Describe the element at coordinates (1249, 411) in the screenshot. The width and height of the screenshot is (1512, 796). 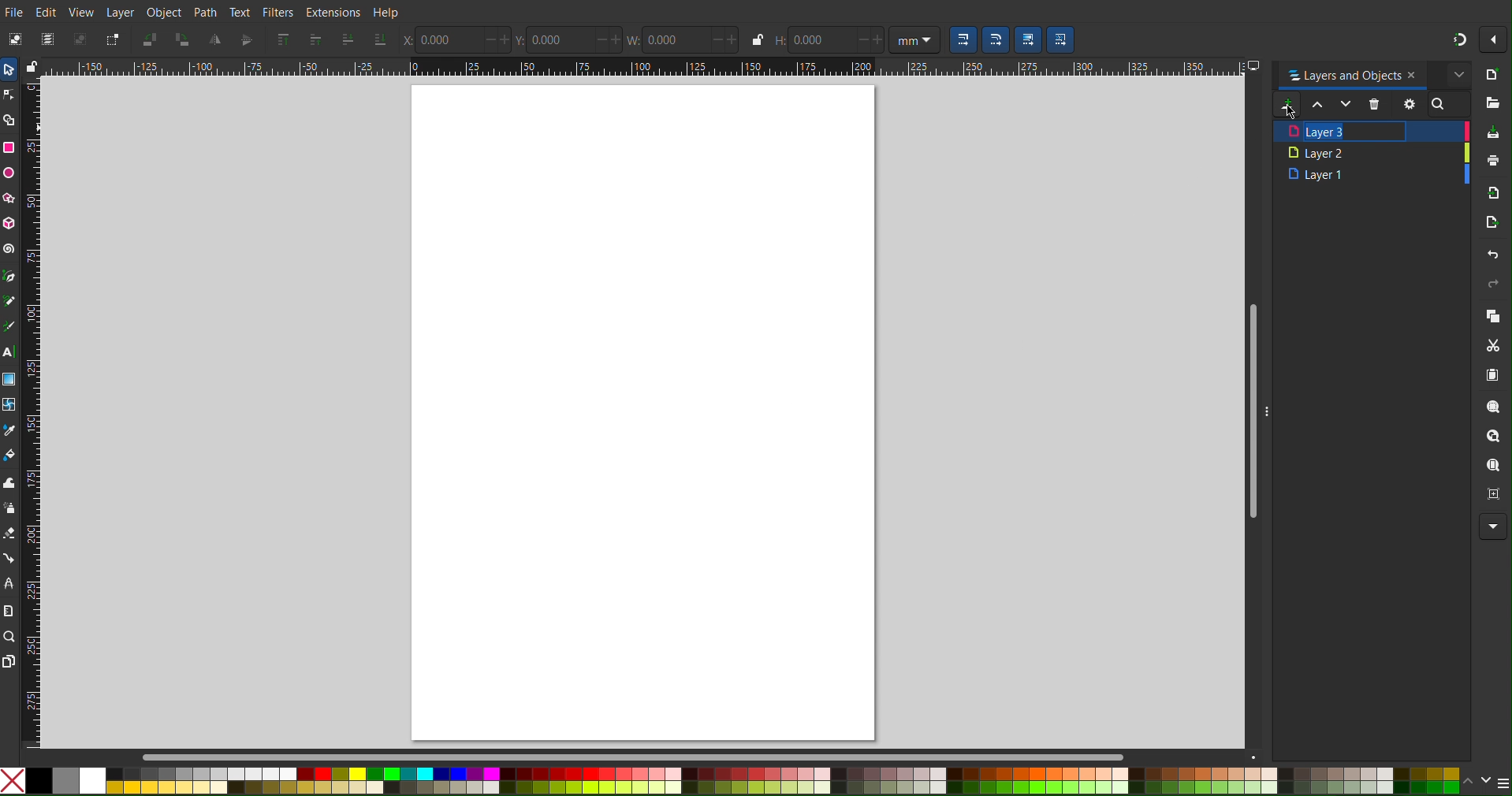
I see `Scrollbar` at that location.